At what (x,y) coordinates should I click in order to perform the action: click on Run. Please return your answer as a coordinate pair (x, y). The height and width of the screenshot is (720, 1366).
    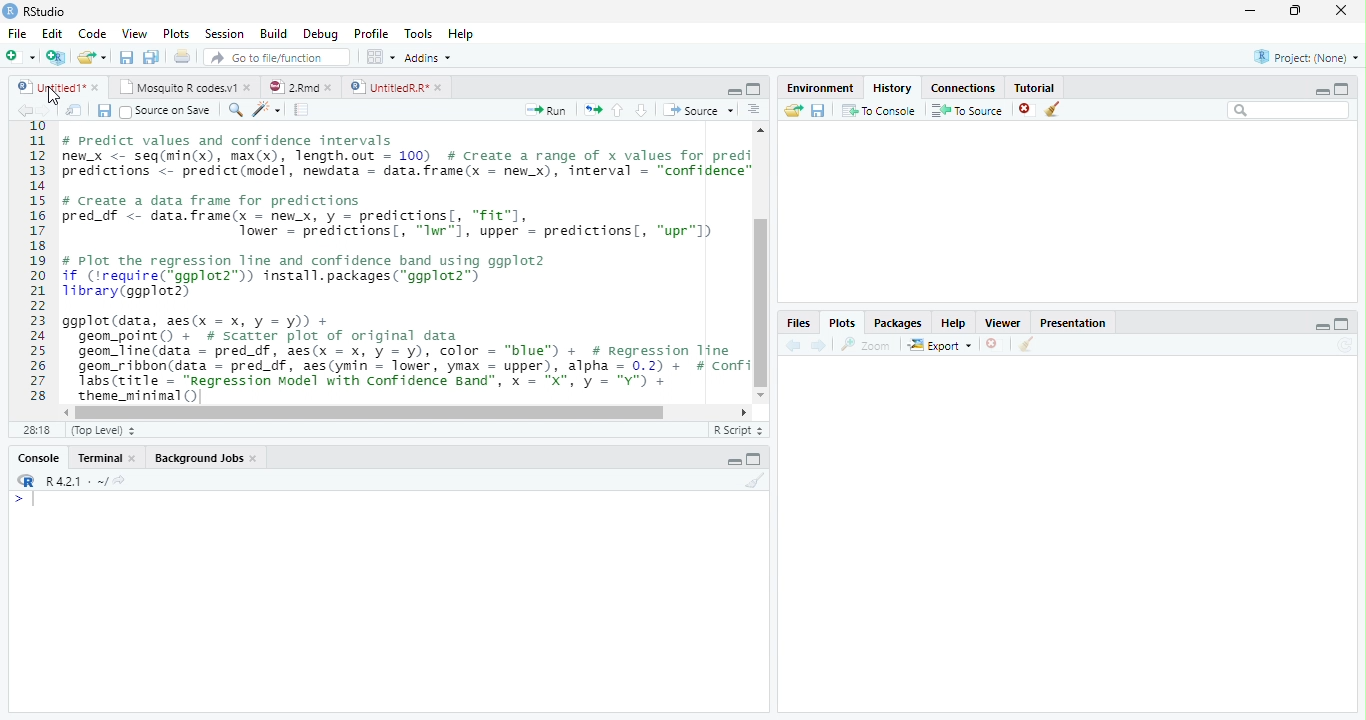
    Looking at the image, I should click on (544, 111).